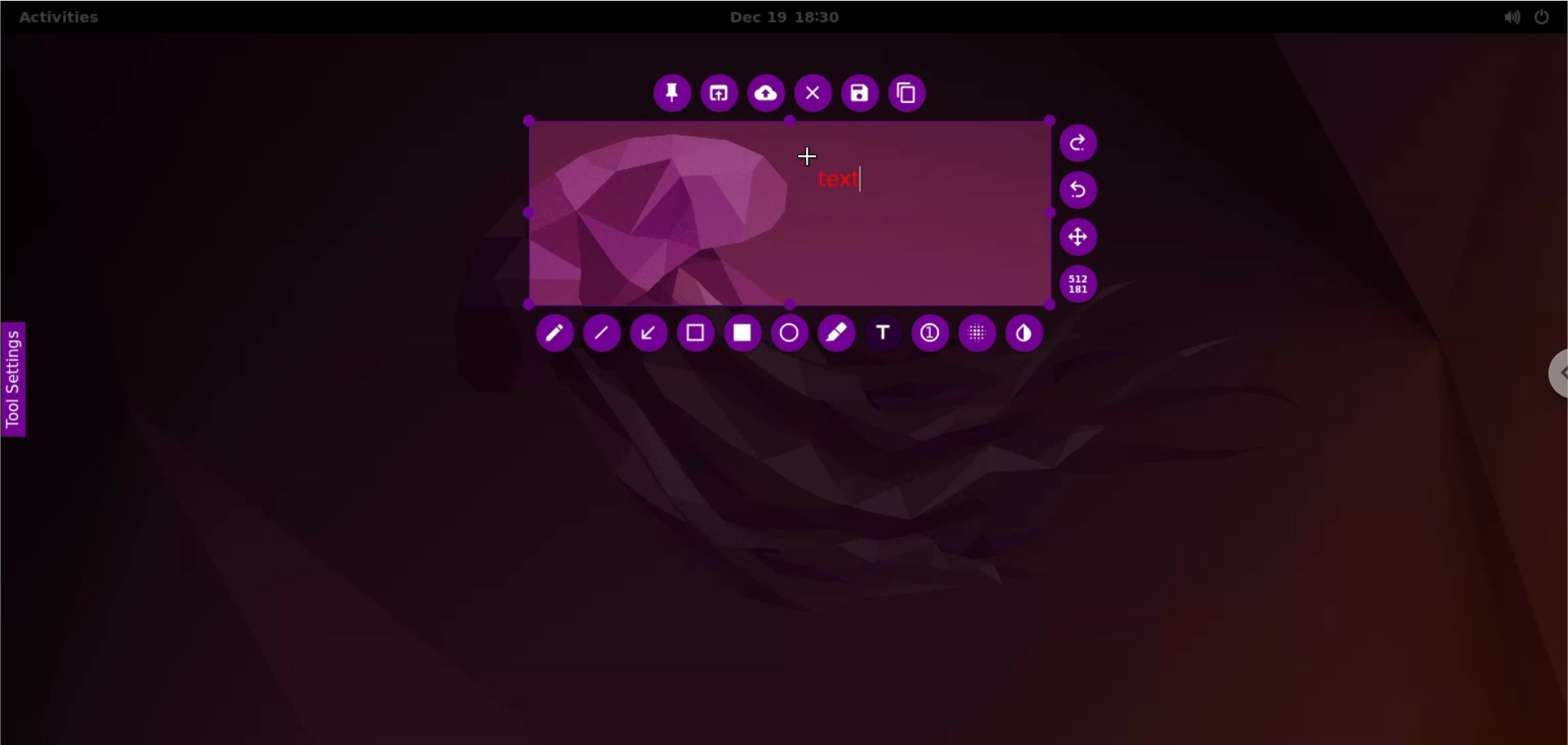  I want to click on text markup, so click(844, 181).